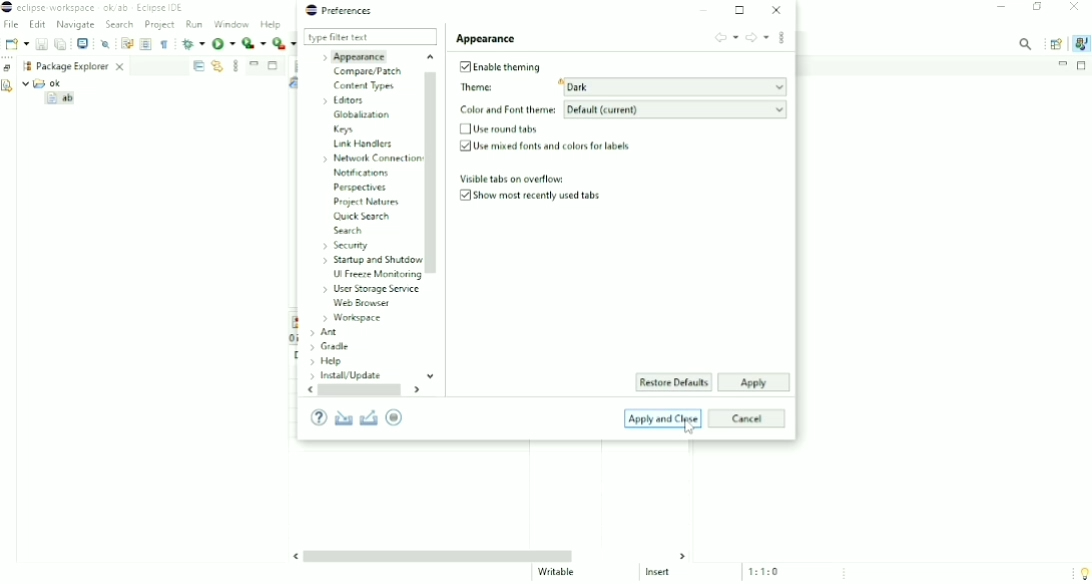  Describe the element at coordinates (725, 37) in the screenshot. I see `Back` at that location.